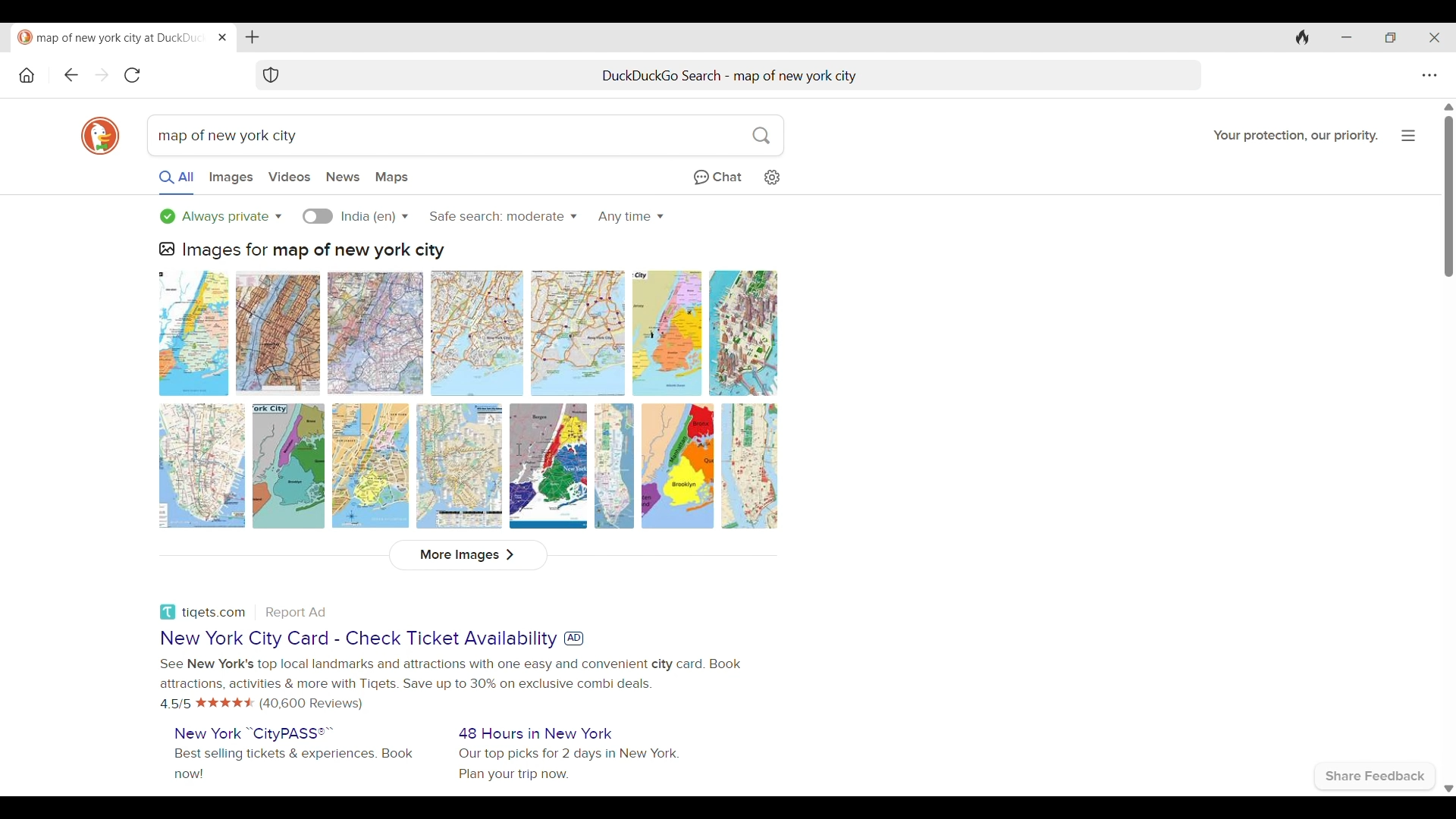 Image resolution: width=1456 pixels, height=819 pixels. What do you see at coordinates (1346, 37) in the screenshot?
I see `Minimize` at bounding box center [1346, 37].